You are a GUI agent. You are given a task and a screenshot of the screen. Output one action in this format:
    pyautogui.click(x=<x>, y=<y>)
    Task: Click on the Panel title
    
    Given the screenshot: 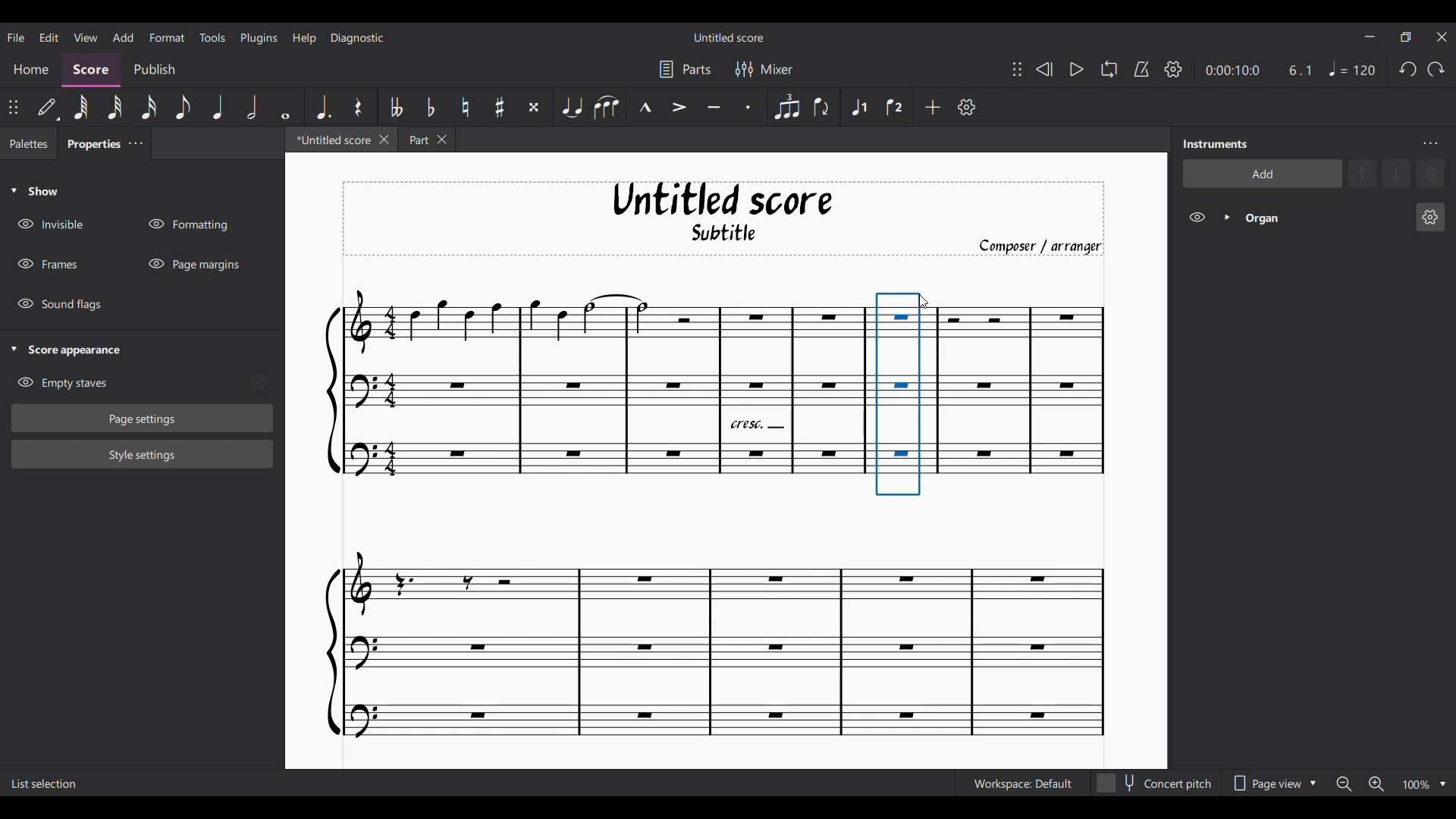 What is the action you would take?
    pyautogui.click(x=1216, y=144)
    